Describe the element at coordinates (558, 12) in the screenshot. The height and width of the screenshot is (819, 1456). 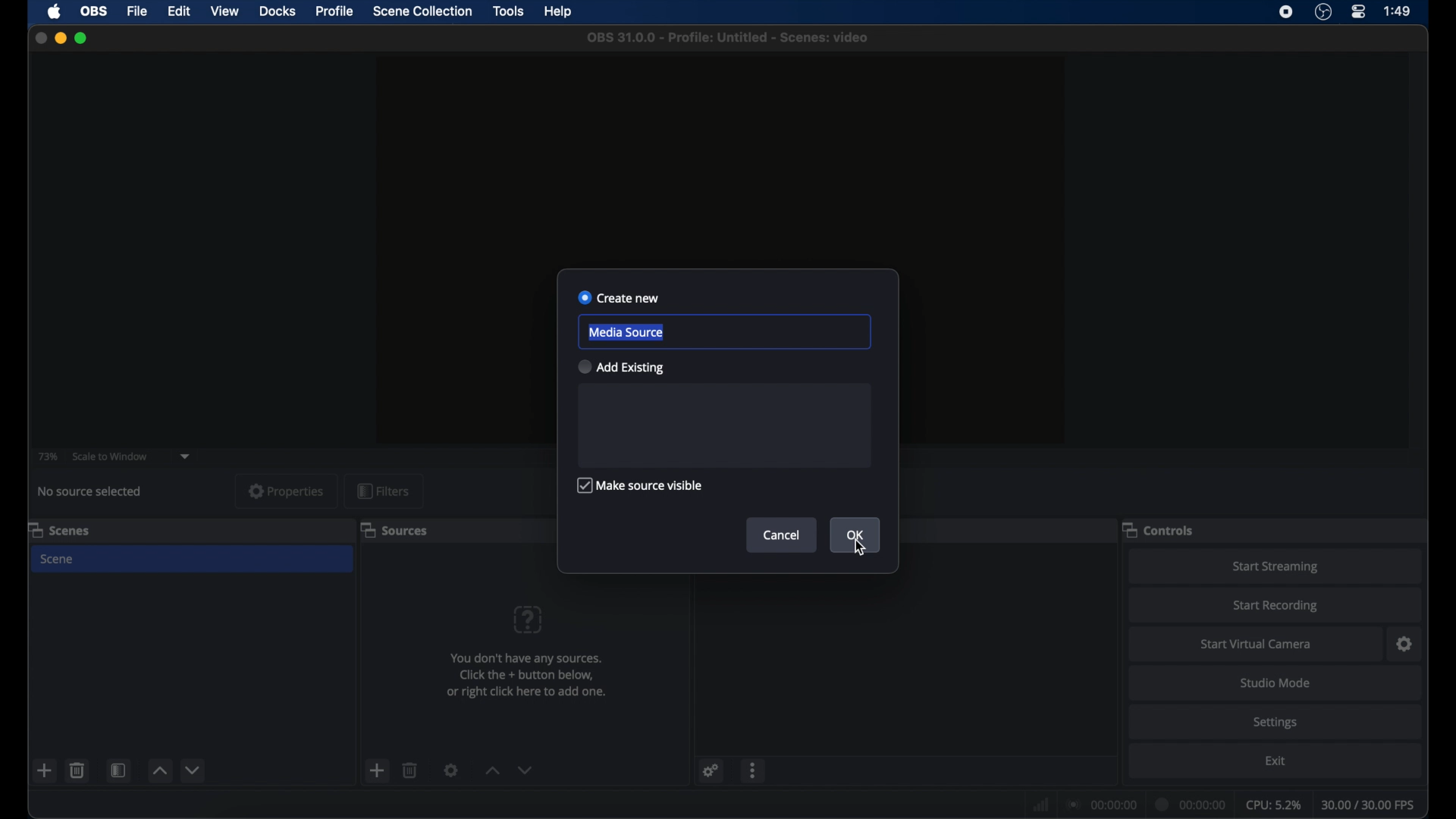
I see `help` at that location.